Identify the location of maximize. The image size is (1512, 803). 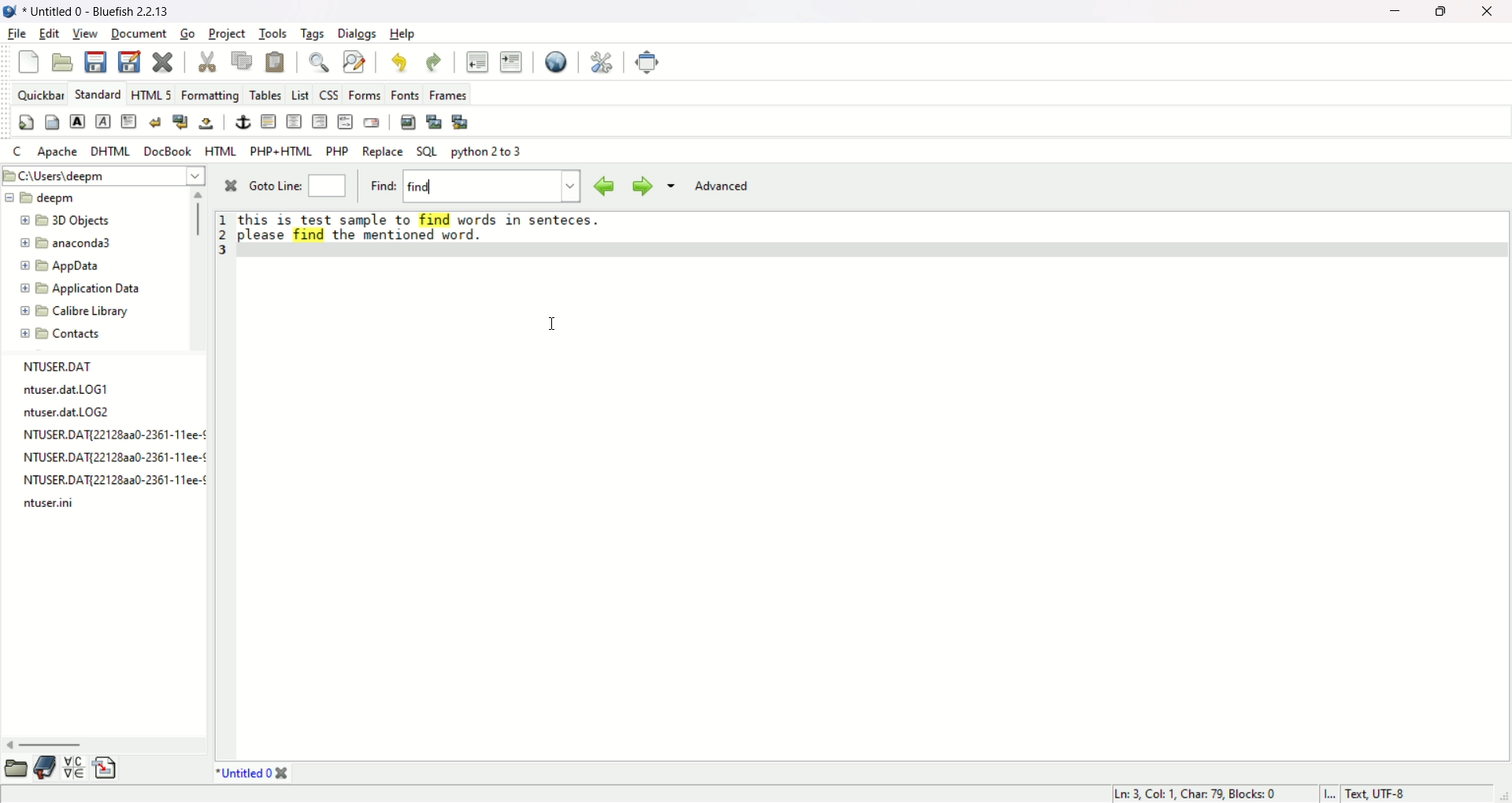
(1442, 13).